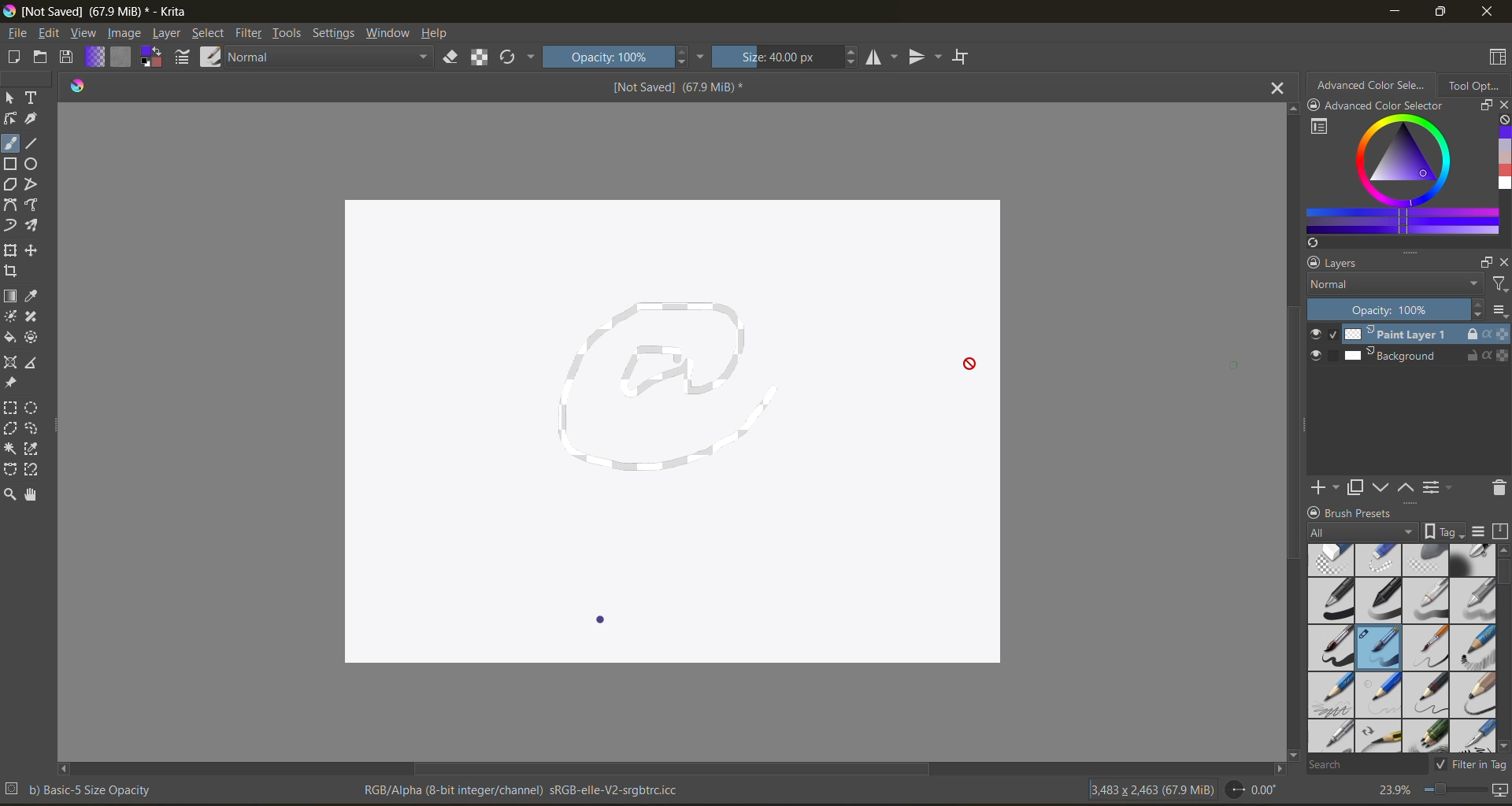  What do you see at coordinates (1386, 106) in the screenshot?
I see `Advanced Color selector` at bounding box center [1386, 106].